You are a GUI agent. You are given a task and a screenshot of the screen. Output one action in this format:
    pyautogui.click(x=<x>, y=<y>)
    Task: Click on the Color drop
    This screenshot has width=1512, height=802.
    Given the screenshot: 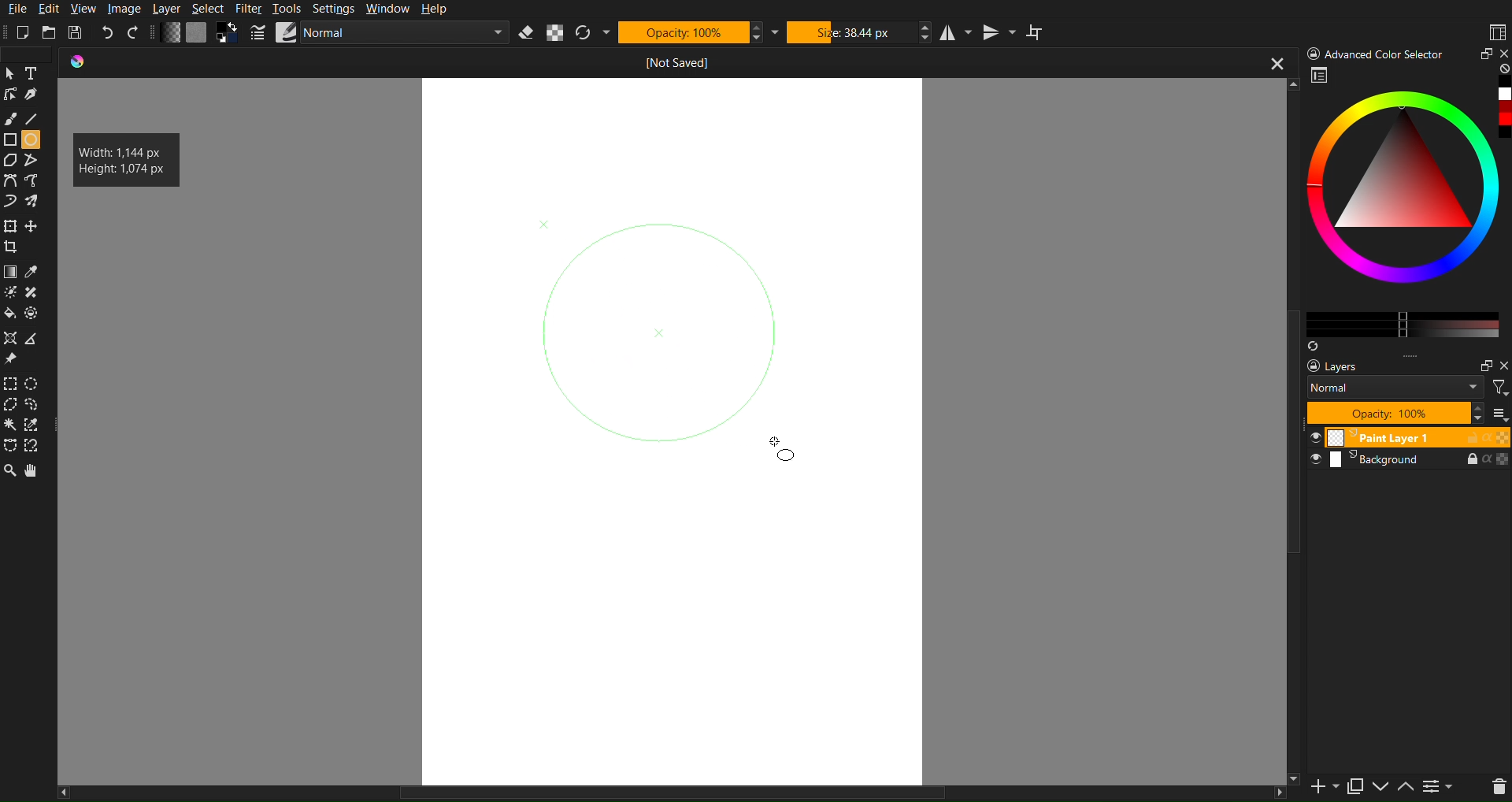 What is the action you would take?
    pyautogui.click(x=34, y=273)
    